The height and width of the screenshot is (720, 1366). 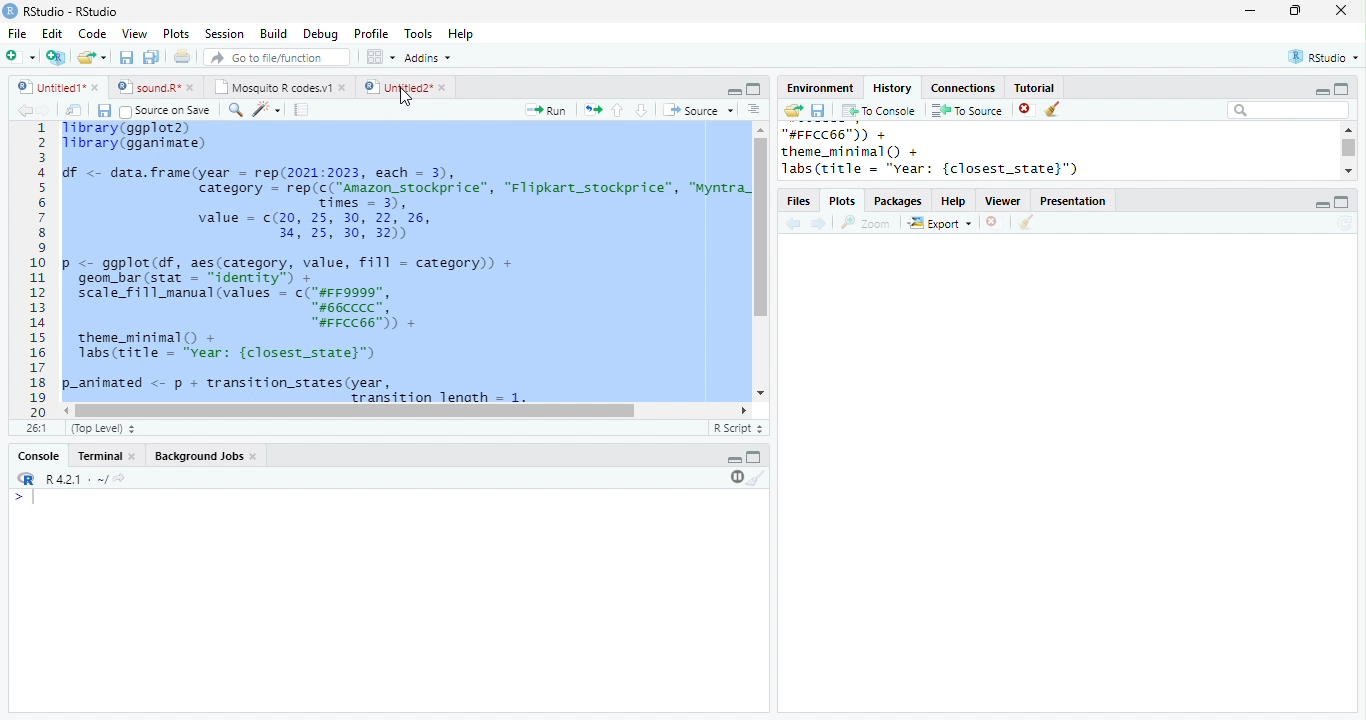 I want to click on New project, so click(x=56, y=58).